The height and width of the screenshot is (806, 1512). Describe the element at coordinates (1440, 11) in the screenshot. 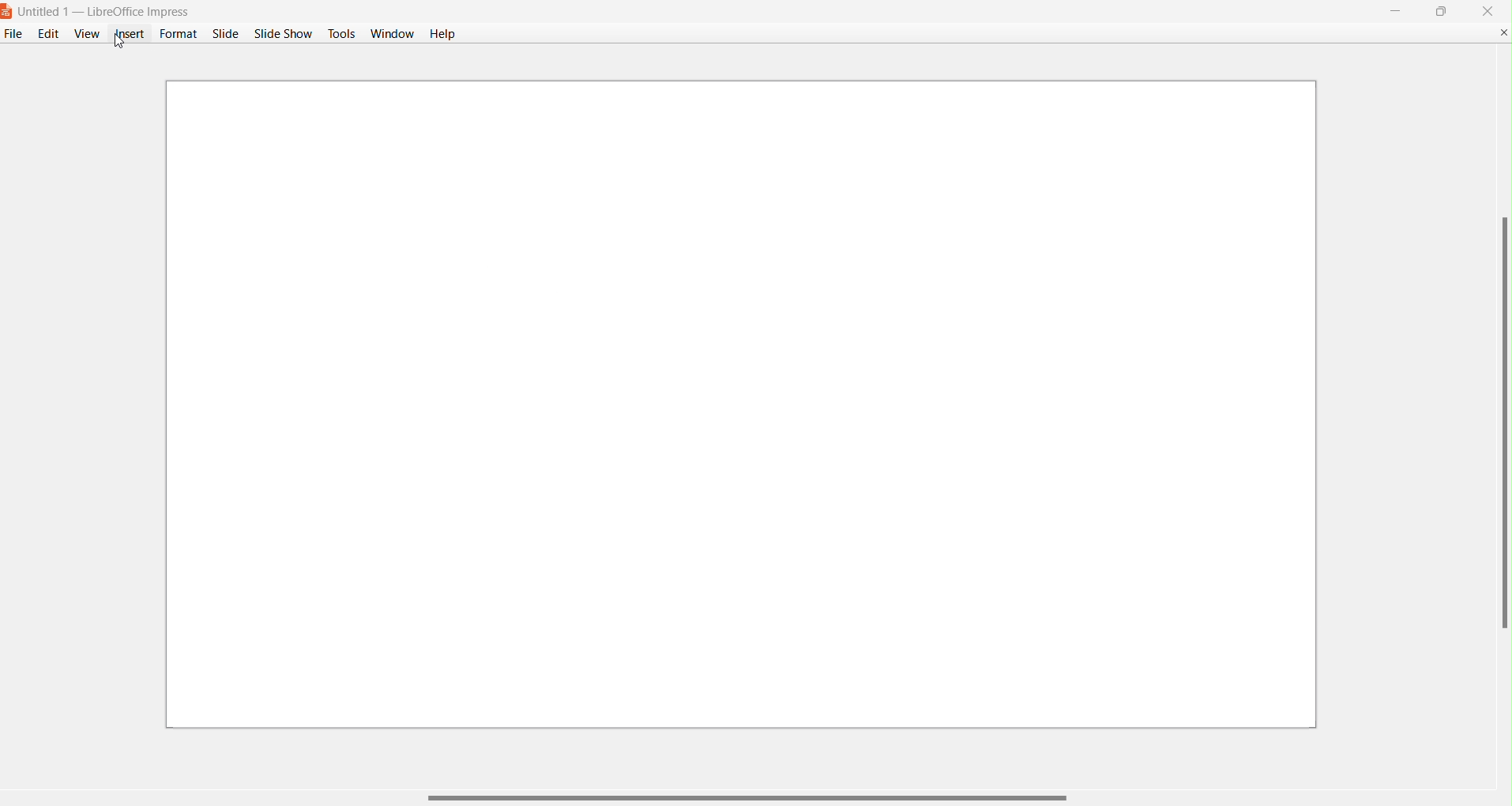

I see `maximize` at that location.